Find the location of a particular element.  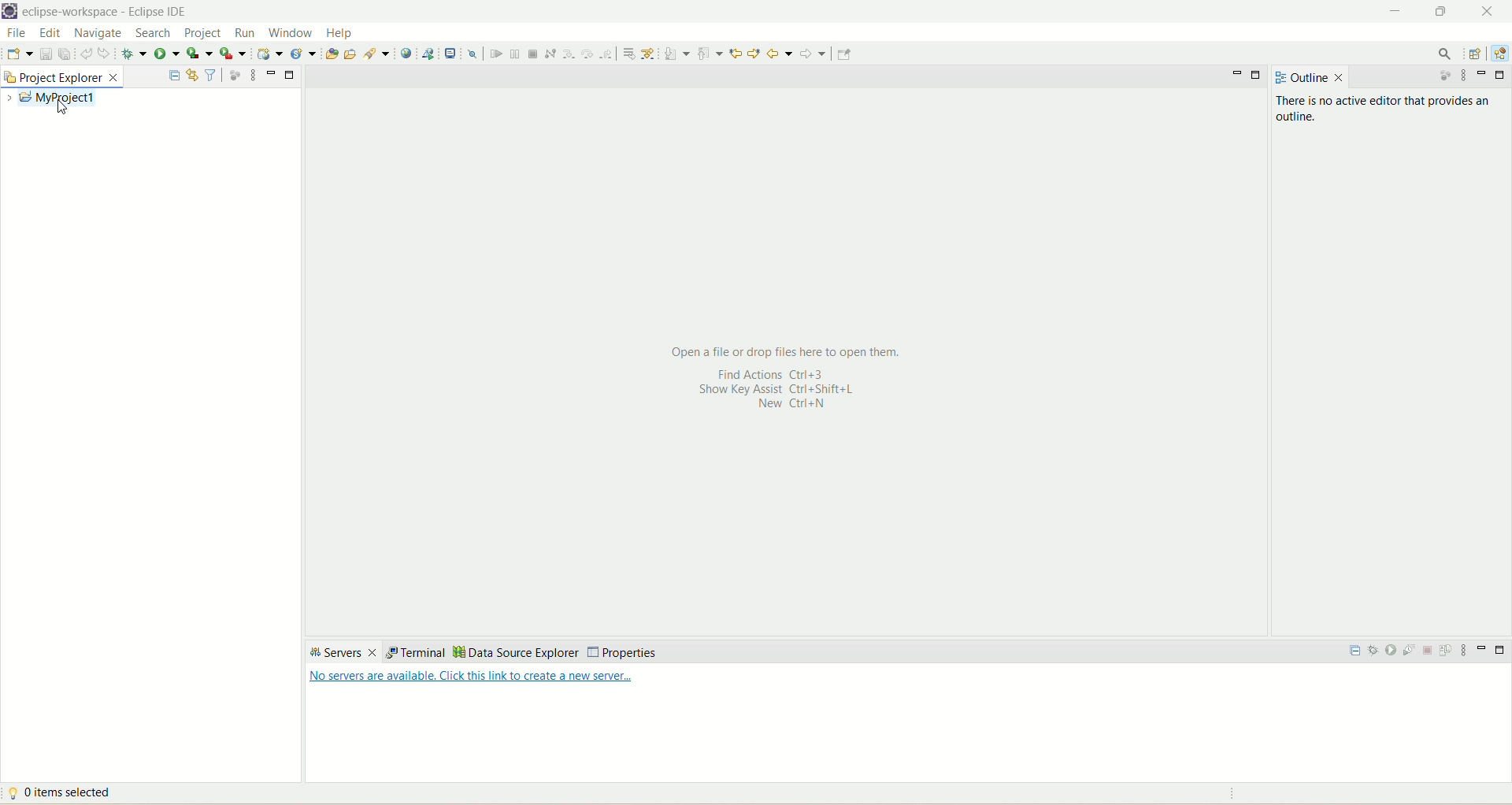

launch a web service project is located at coordinates (432, 53).